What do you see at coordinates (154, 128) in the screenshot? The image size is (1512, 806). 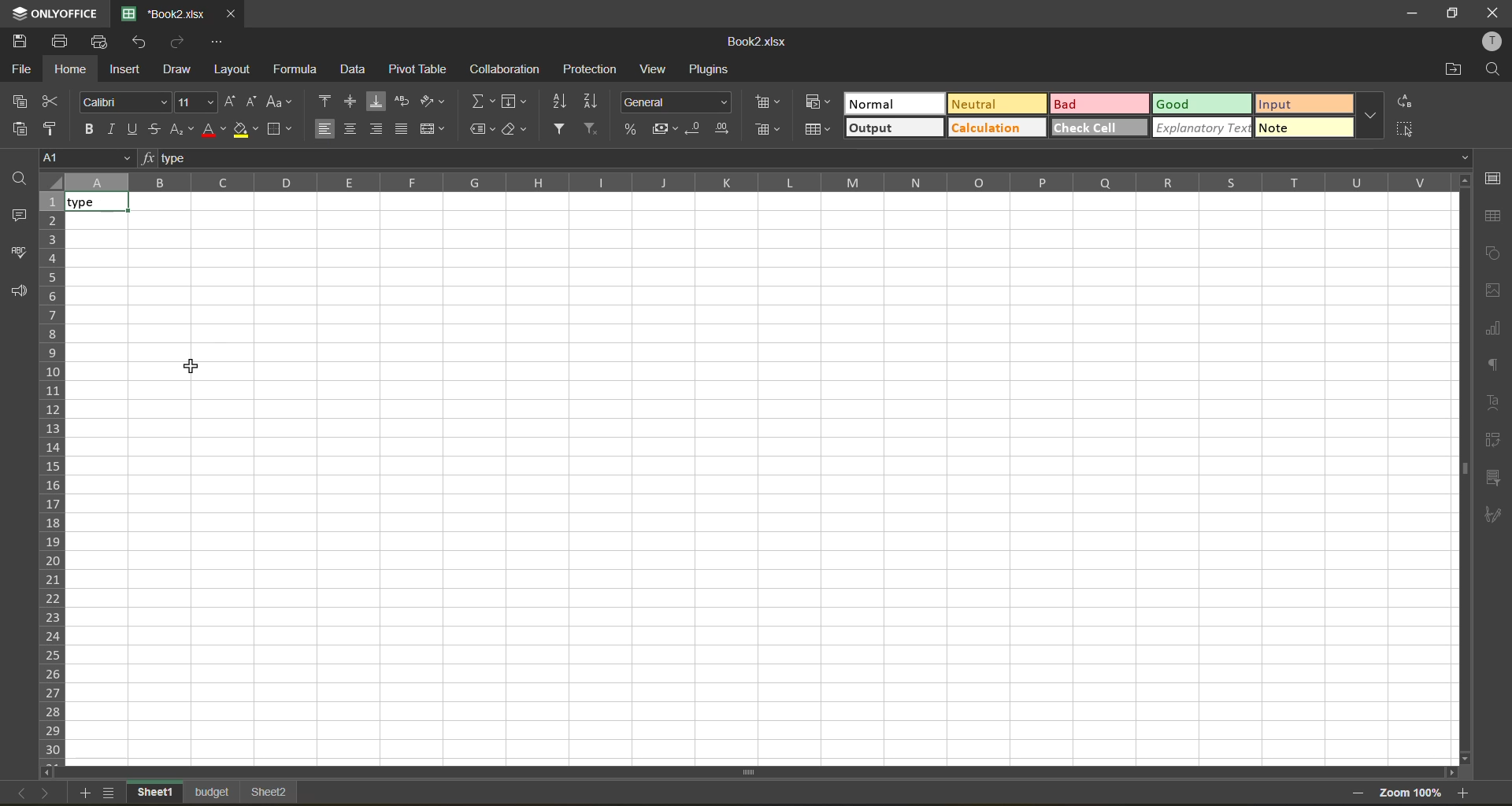 I see `strikethrough` at bounding box center [154, 128].